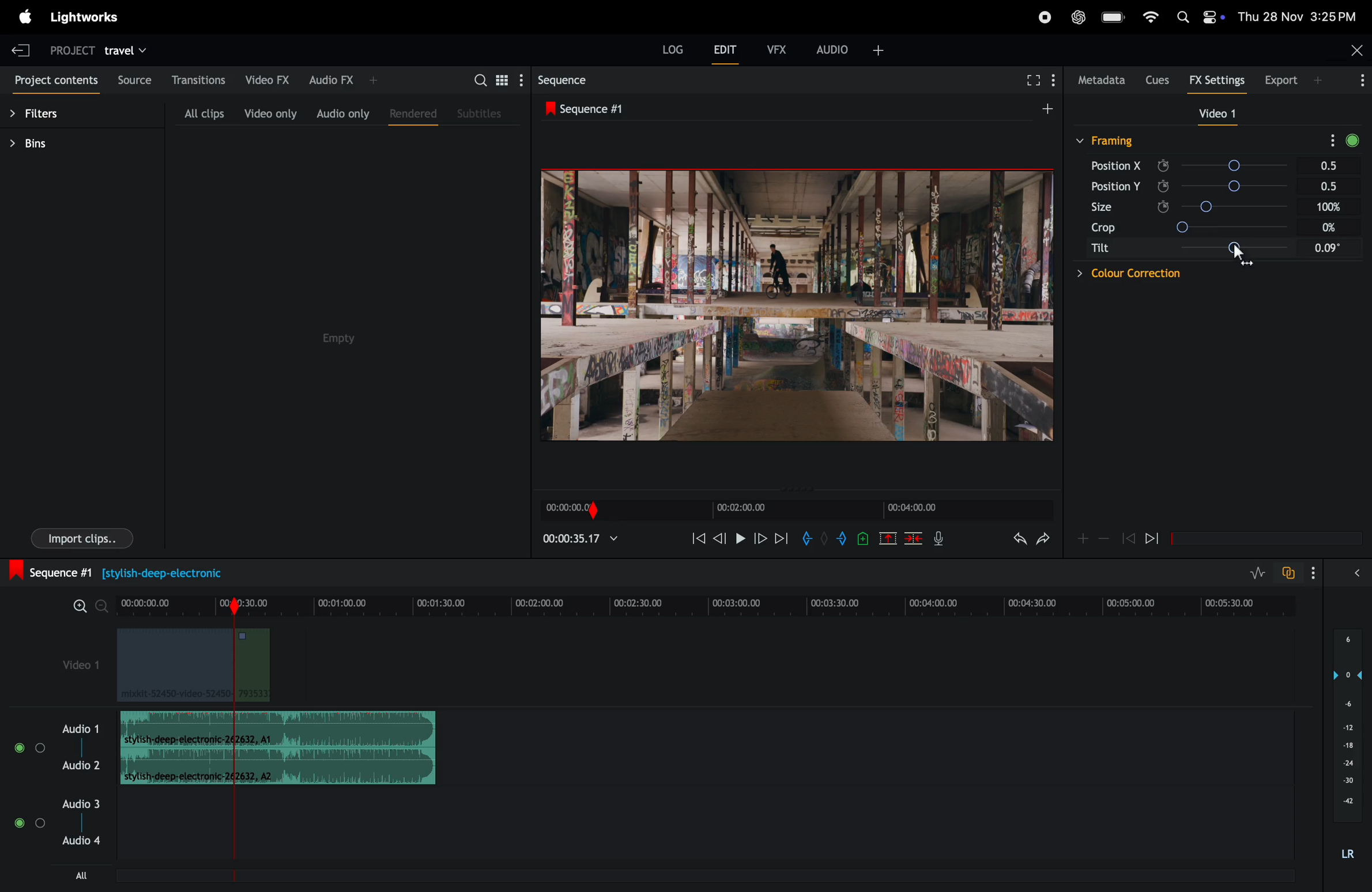  What do you see at coordinates (74, 48) in the screenshot?
I see `project` at bounding box center [74, 48].